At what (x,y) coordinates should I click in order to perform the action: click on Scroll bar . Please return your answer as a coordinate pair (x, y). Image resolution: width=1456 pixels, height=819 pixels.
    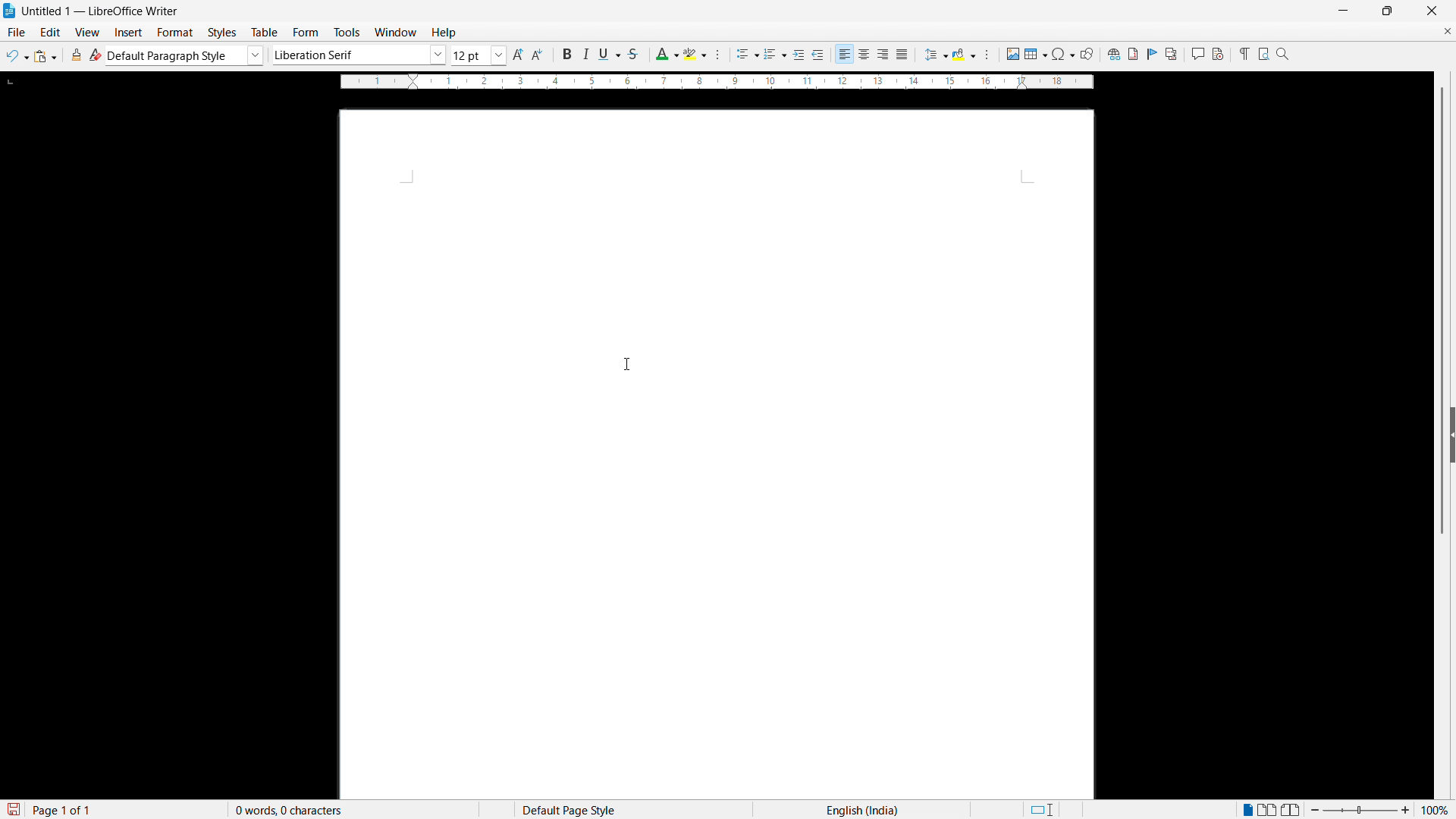
    Looking at the image, I should click on (1444, 312).